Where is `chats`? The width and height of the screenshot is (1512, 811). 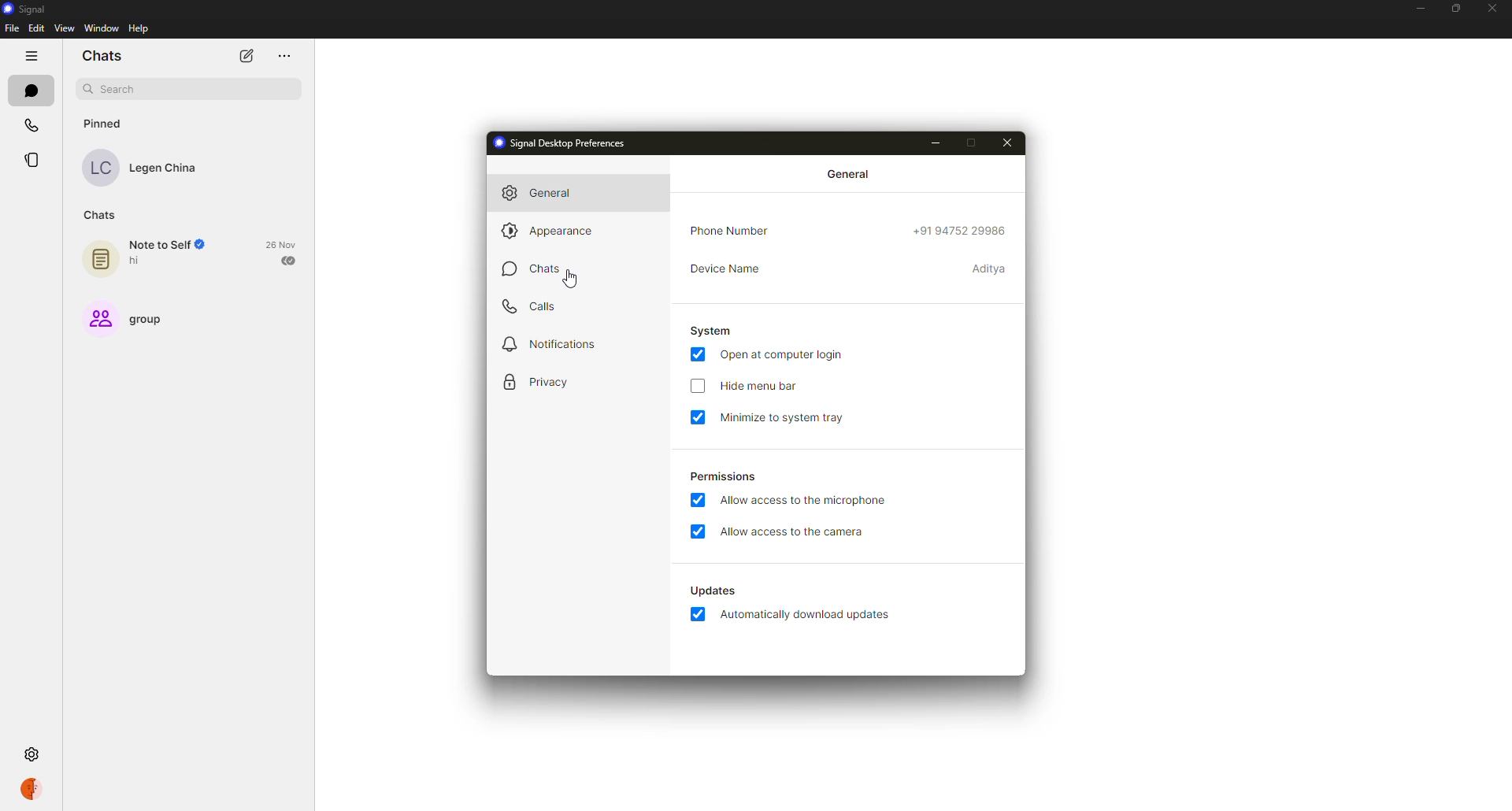
chats is located at coordinates (543, 271).